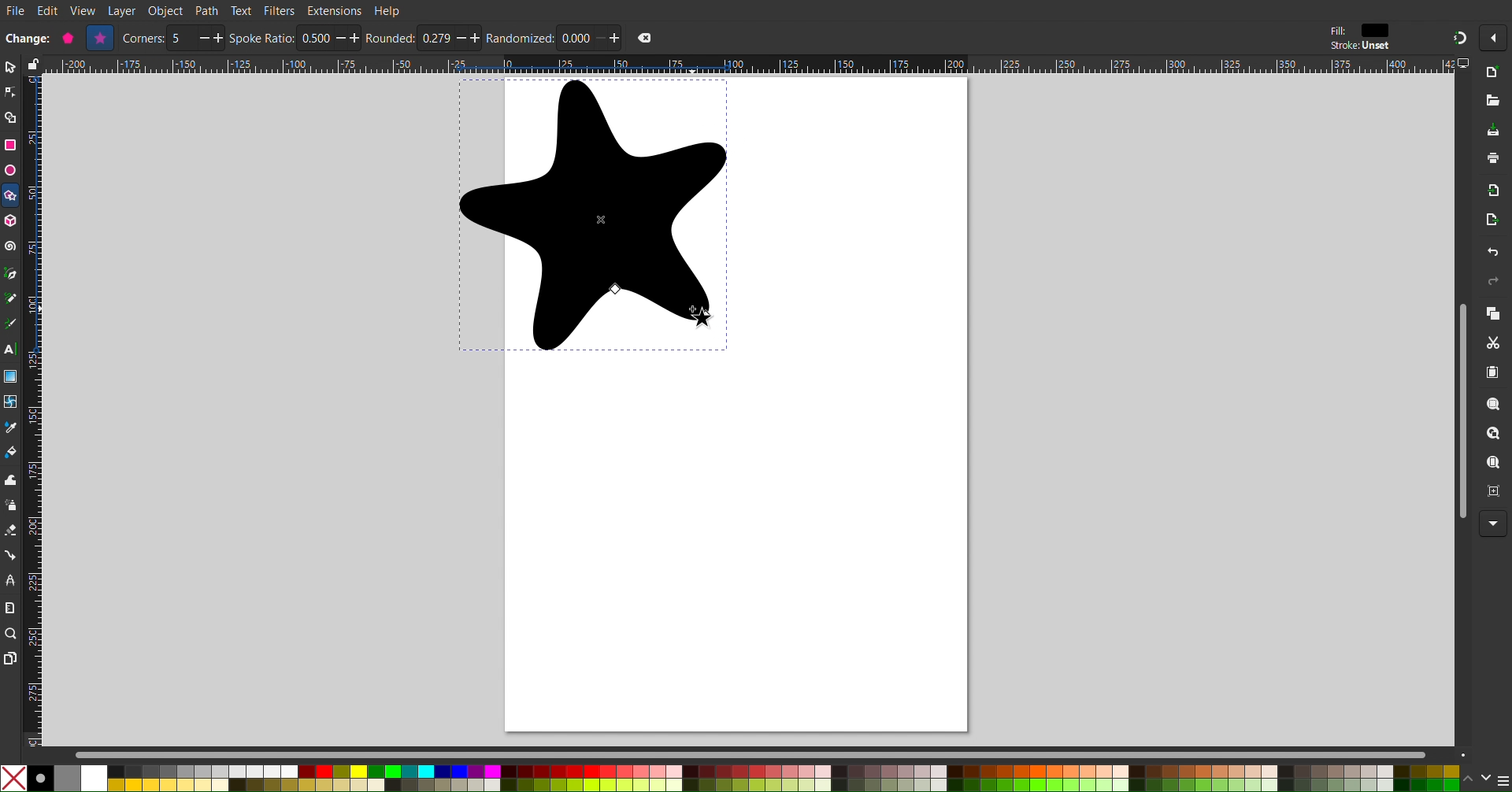  I want to click on randomized, so click(520, 38).